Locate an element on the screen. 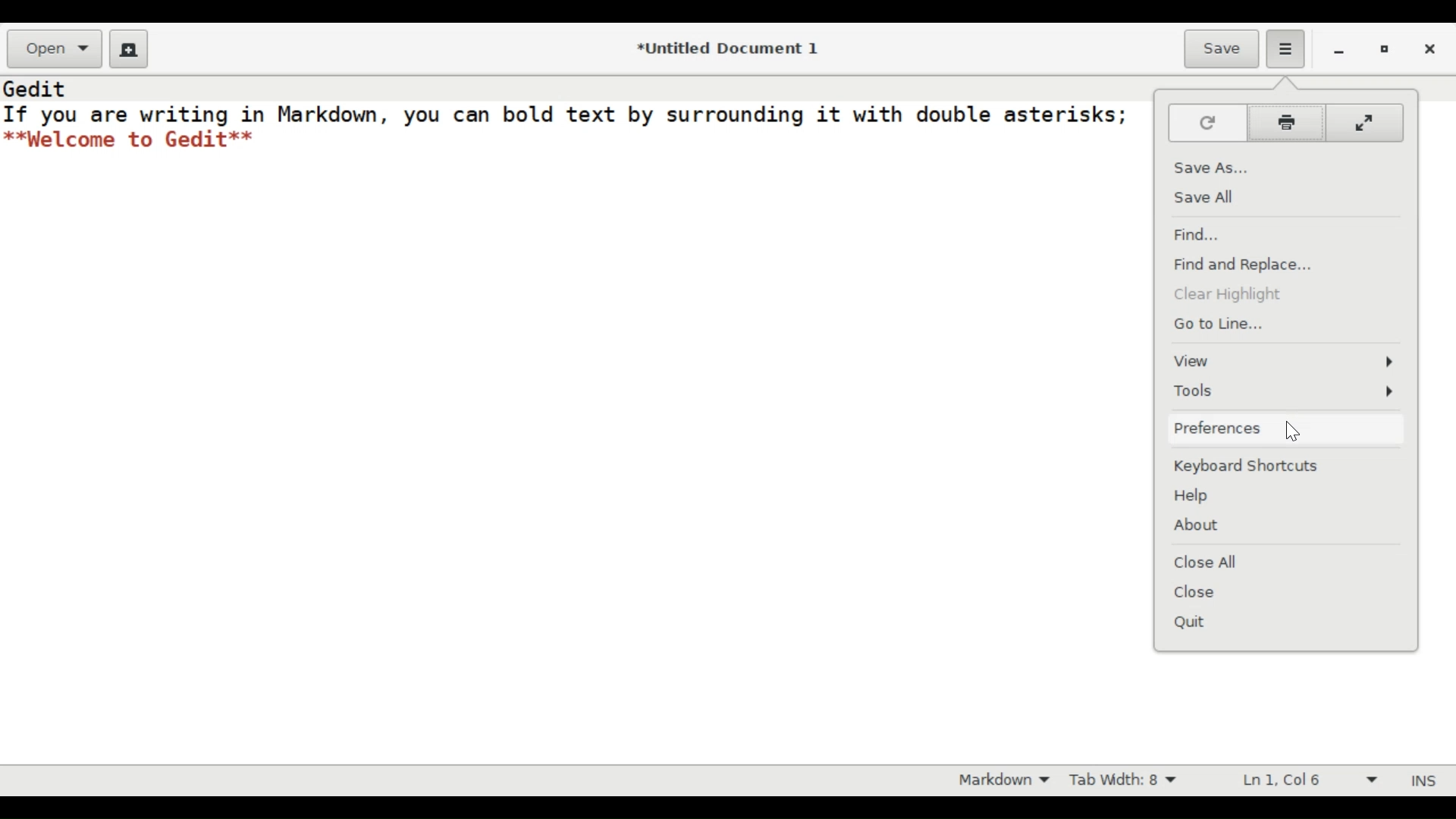 This screenshot has height=819, width=1456. Find and Replace is located at coordinates (1244, 264).